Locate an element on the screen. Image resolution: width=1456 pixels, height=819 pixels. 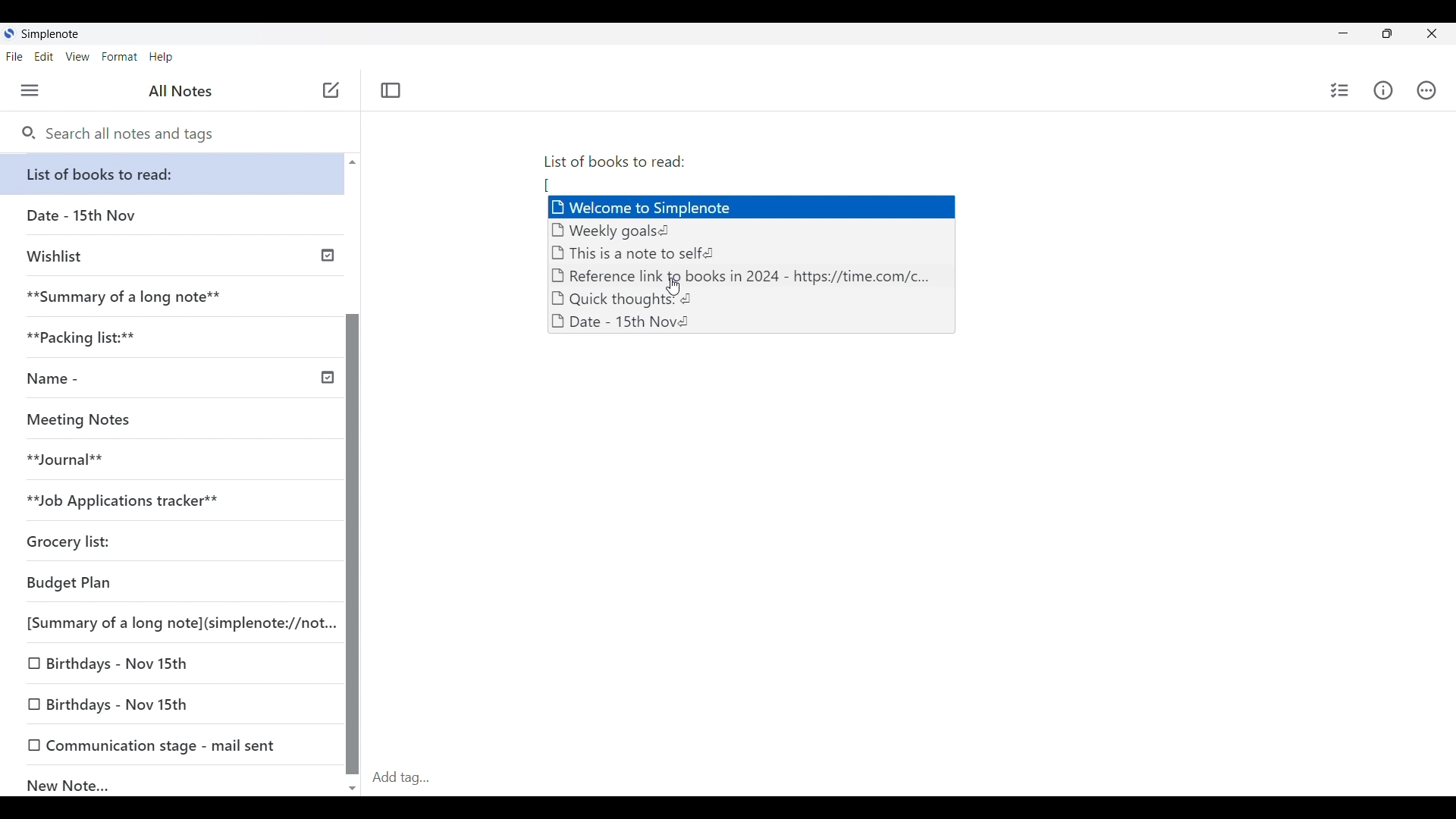
New Note... is located at coordinates (174, 782).